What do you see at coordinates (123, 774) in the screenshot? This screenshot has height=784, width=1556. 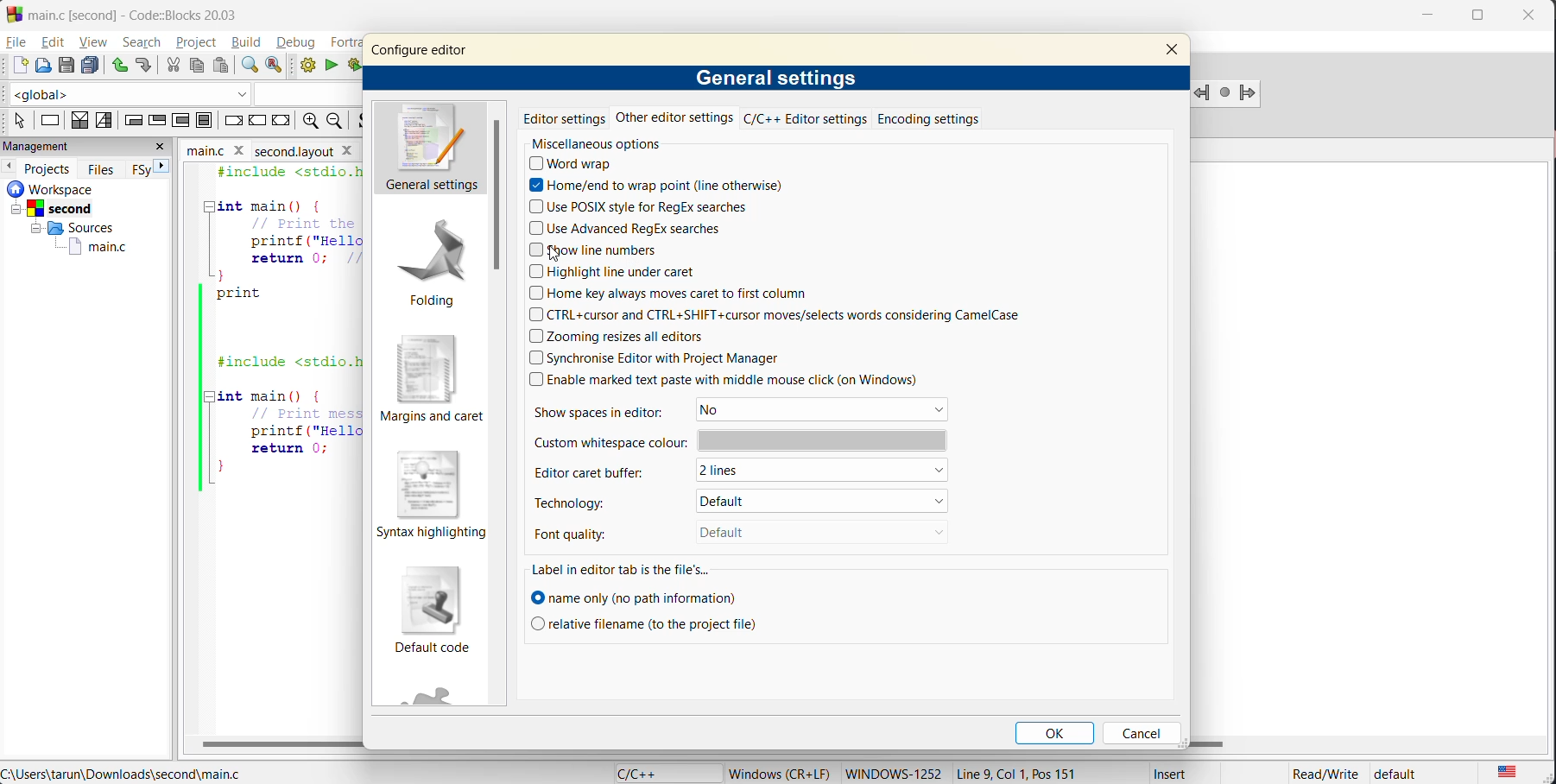 I see `file location` at bounding box center [123, 774].